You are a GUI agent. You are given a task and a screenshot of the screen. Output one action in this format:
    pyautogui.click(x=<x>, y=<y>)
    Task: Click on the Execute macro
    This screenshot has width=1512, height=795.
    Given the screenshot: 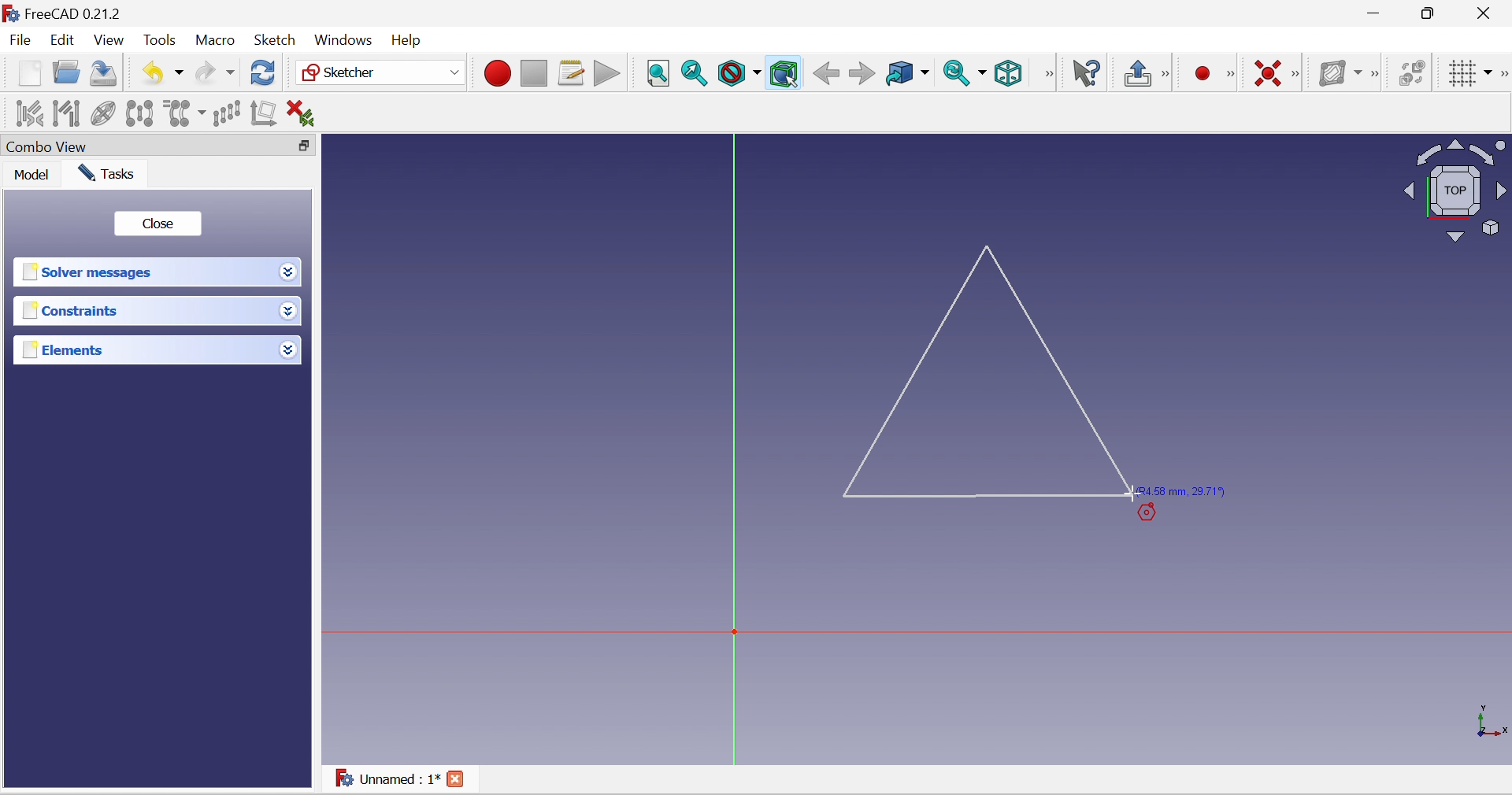 What is the action you would take?
    pyautogui.click(x=605, y=72)
    